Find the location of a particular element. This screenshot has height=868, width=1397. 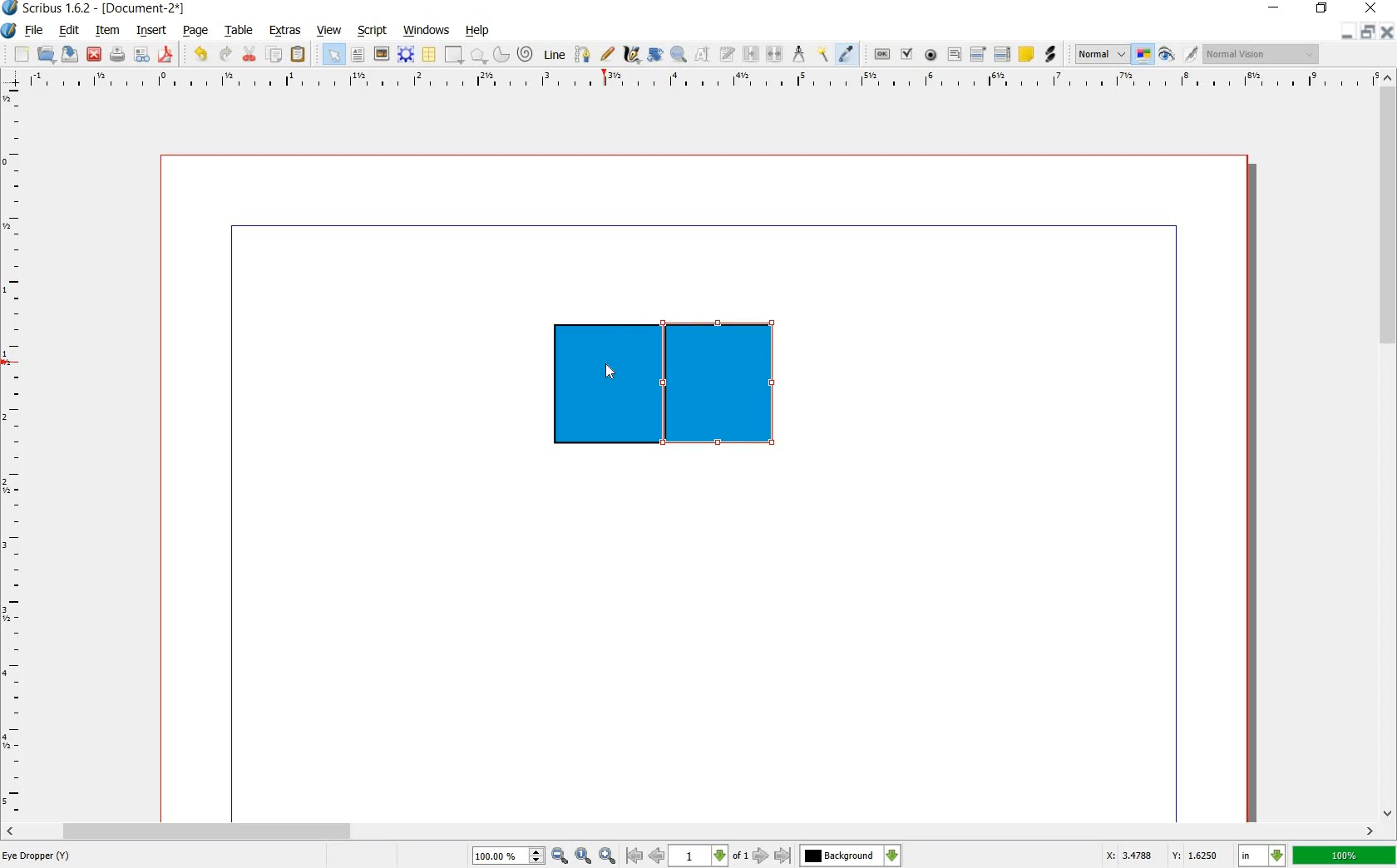

bezier curve is located at coordinates (584, 57).